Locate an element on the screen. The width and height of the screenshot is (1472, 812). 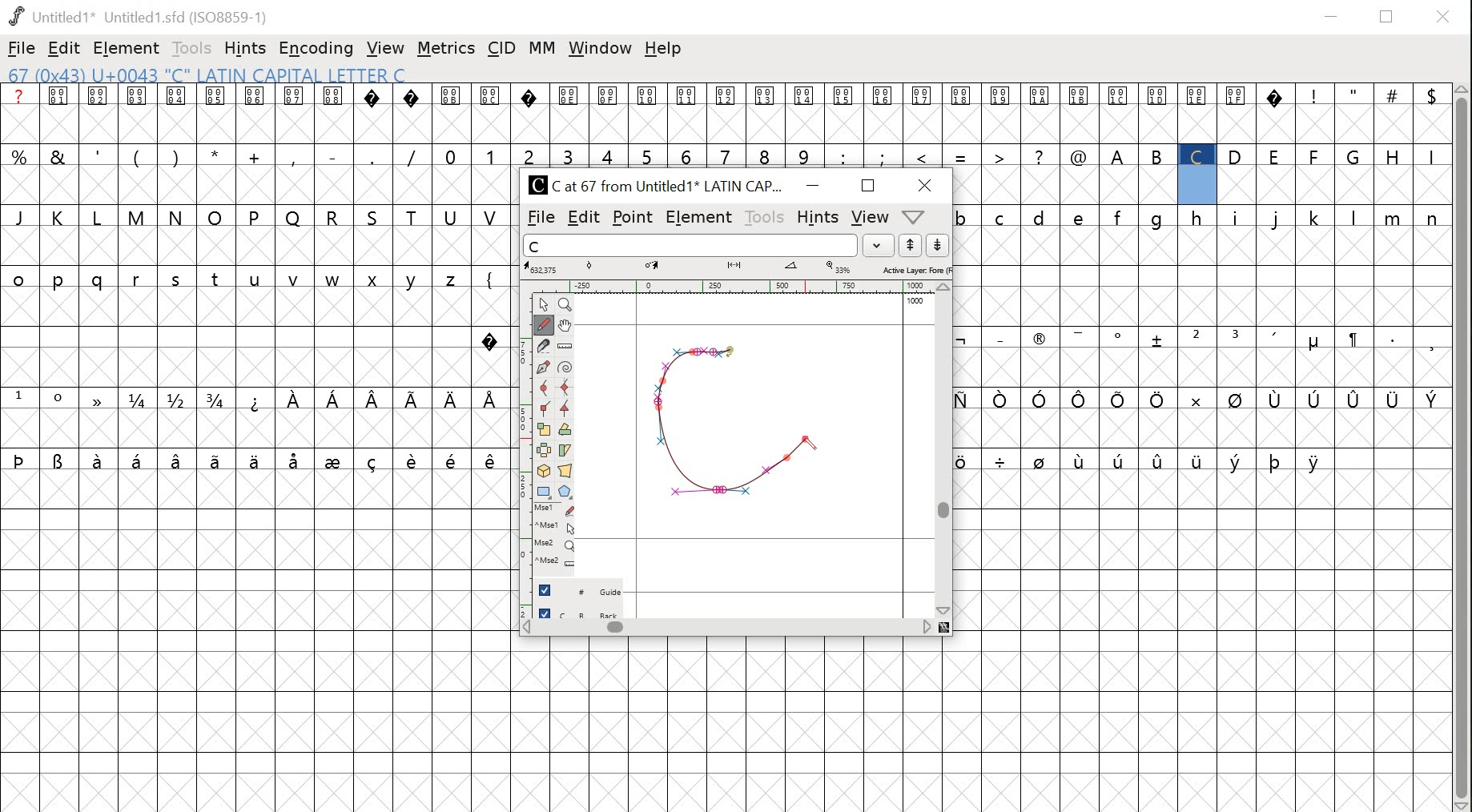
curve is located at coordinates (547, 388).